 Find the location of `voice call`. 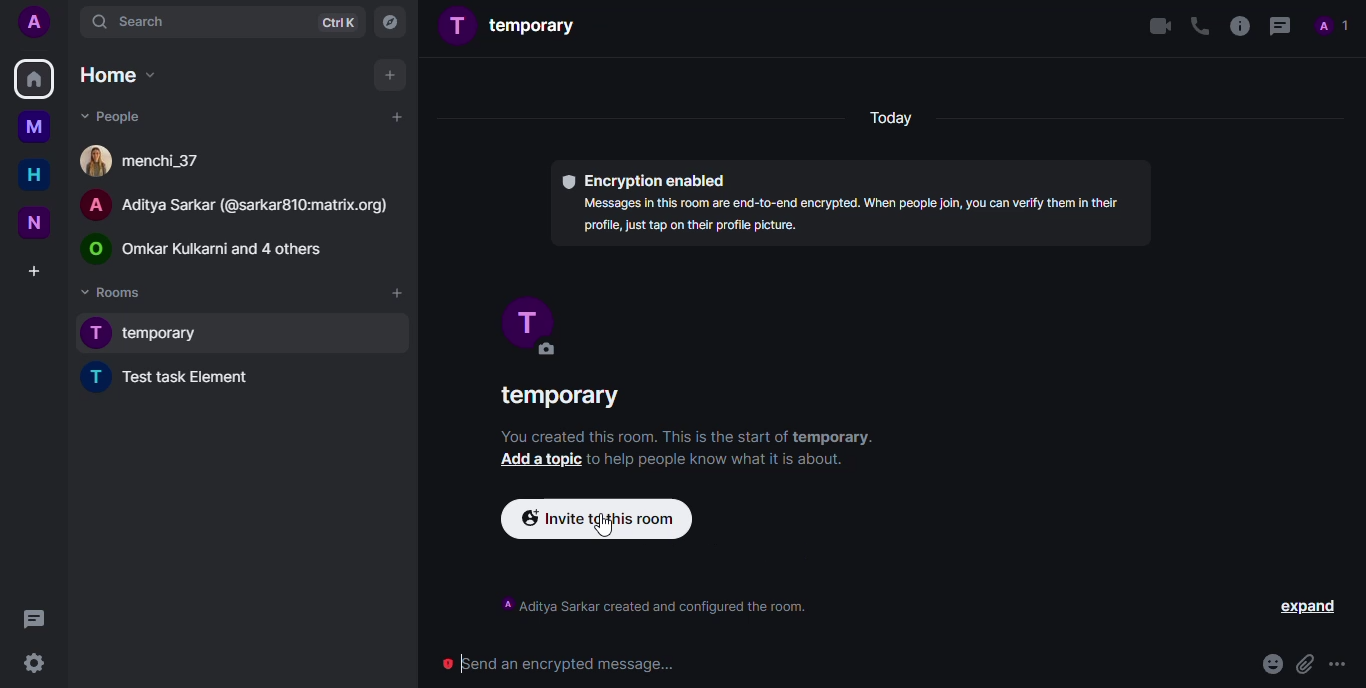

voice call is located at coordinates (1196, 25).